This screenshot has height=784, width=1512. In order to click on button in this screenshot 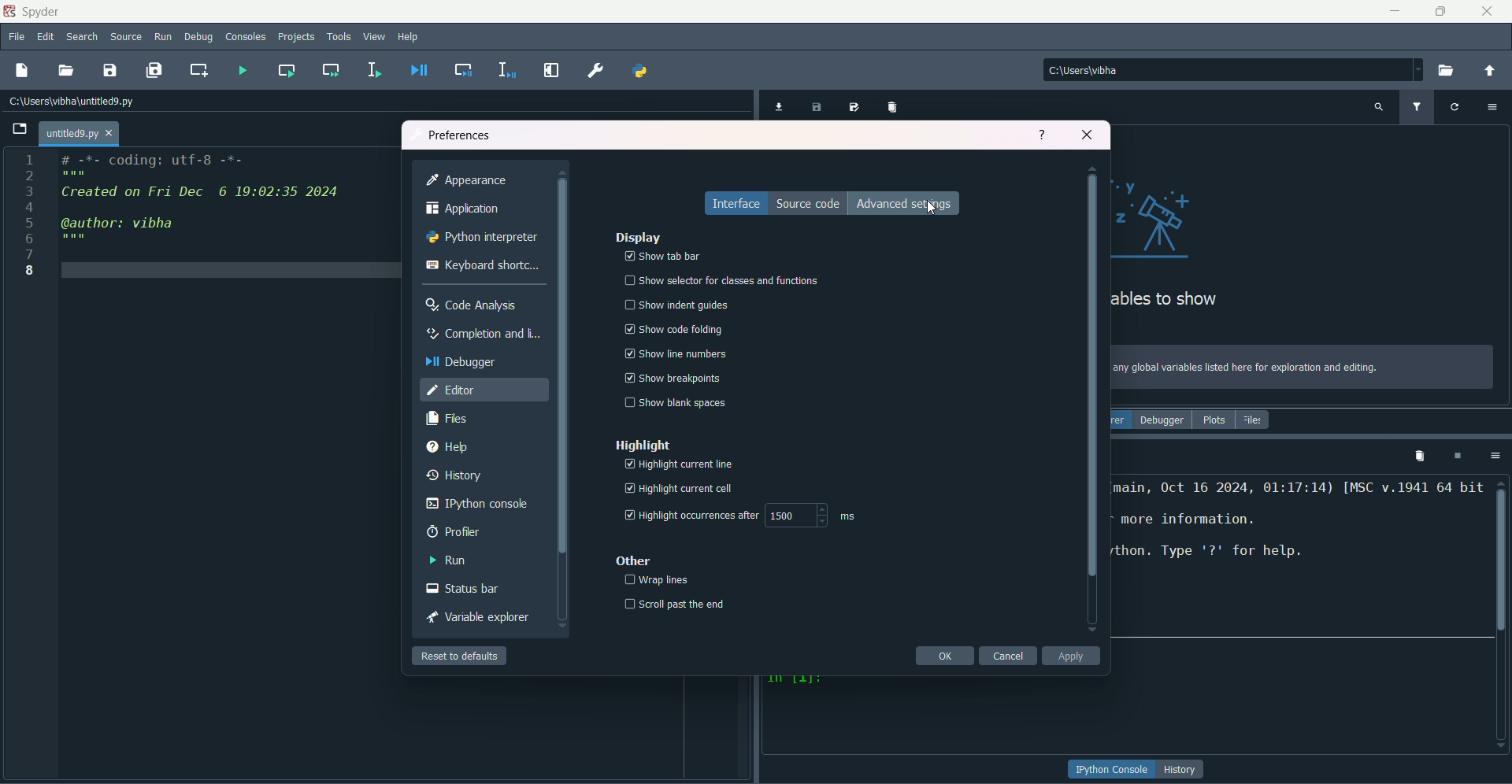, I will do `click(1112, 770)`.